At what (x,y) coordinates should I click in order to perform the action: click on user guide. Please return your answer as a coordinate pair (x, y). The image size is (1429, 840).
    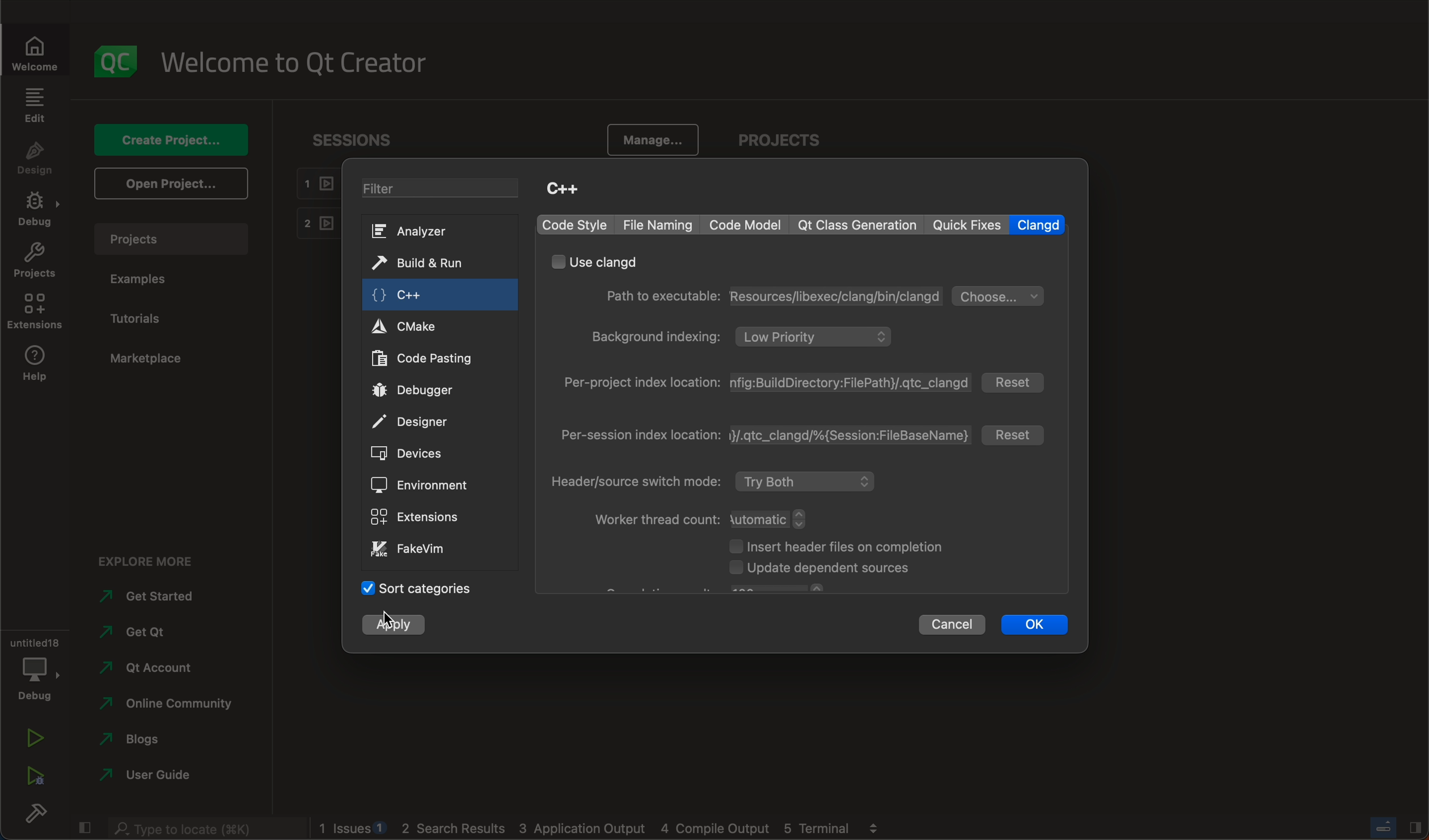
    Looking at the image, I should click on (161, 775).